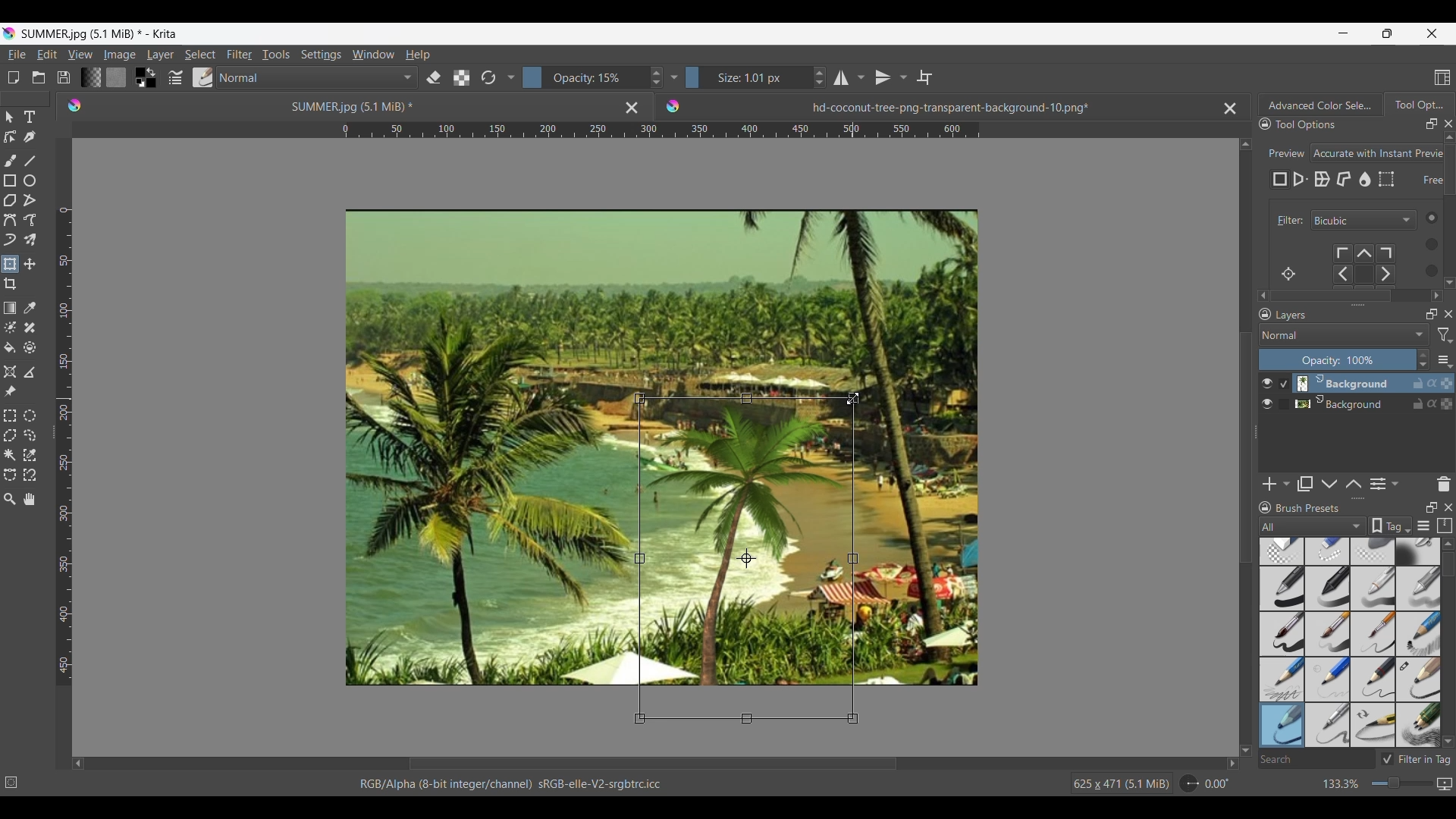  I want to click on Magnetic curve selection tool, so click(30, 474).